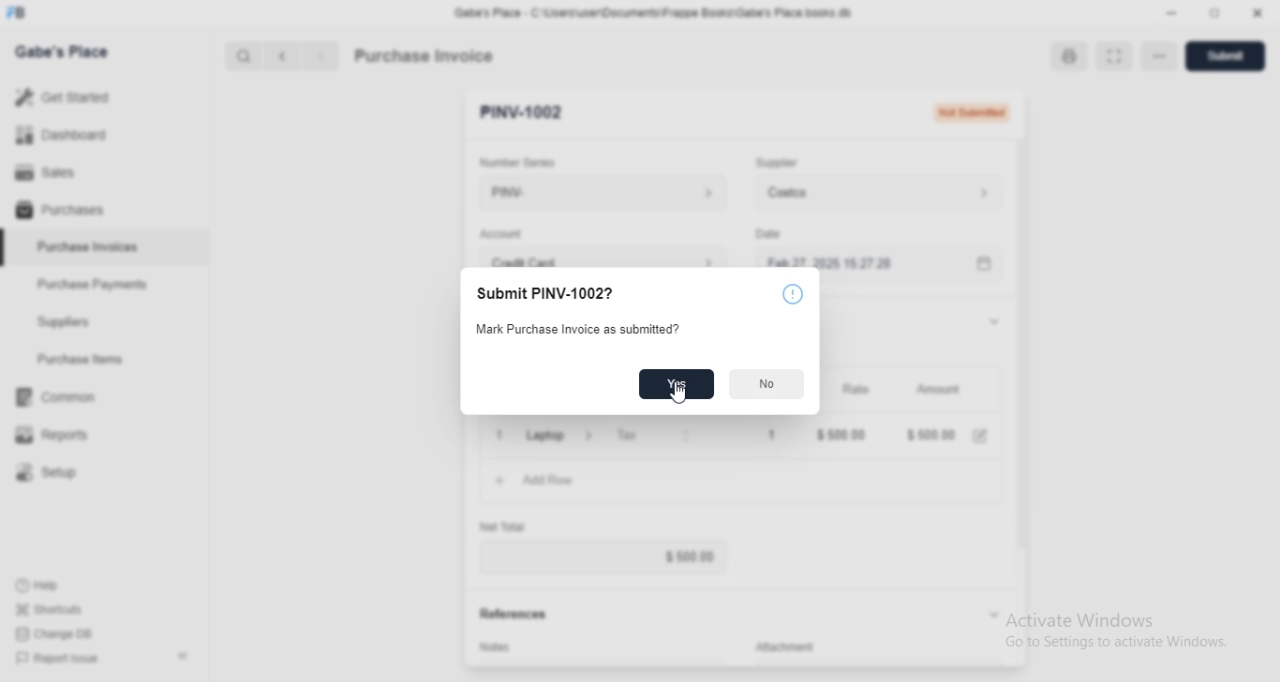  What do you see at coordinates (243, 56) in the screenshot?
I see `Search` at bounding box center [243, 56].